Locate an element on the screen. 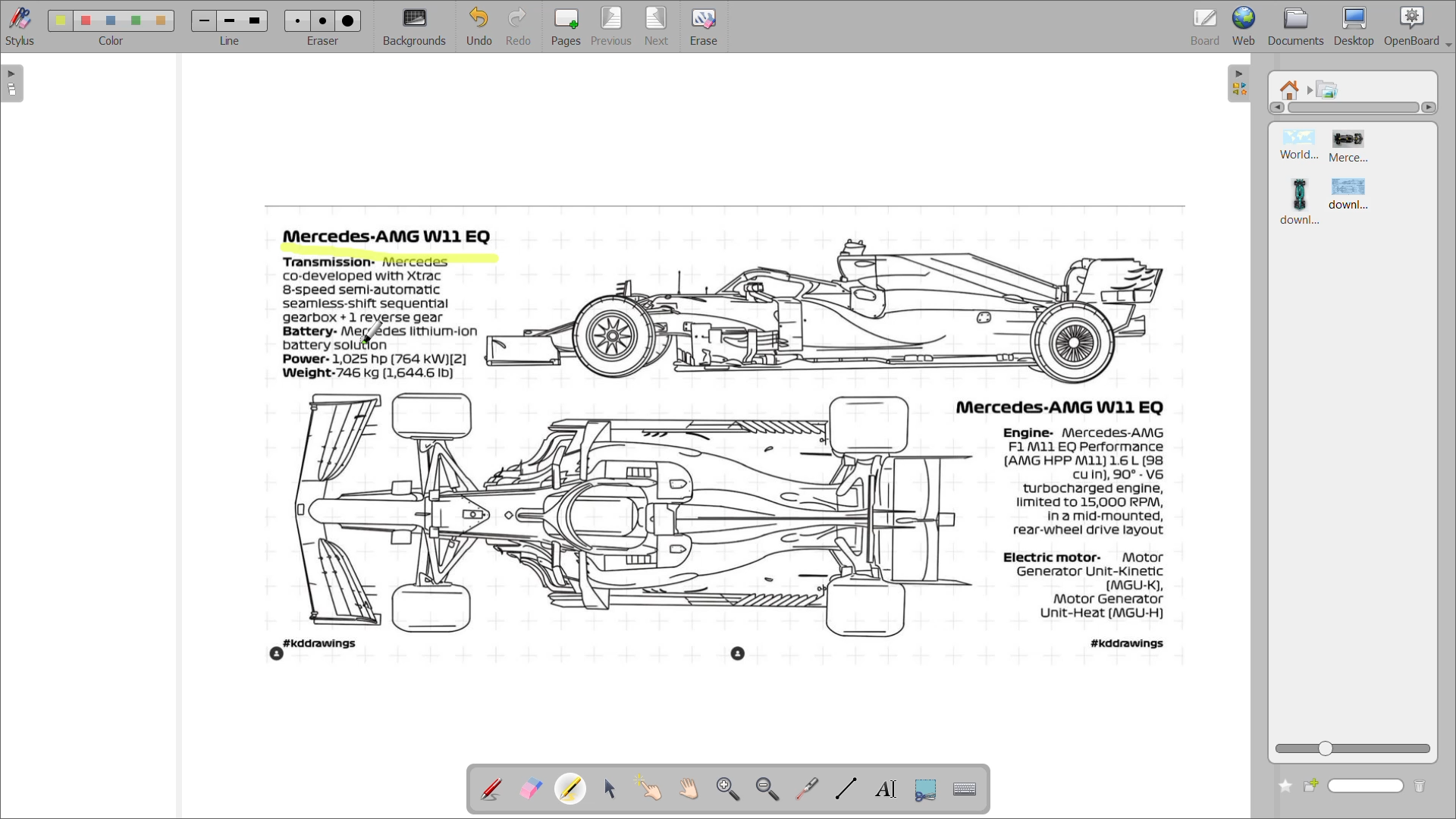  color 1 is located at coordinates (58, 21).